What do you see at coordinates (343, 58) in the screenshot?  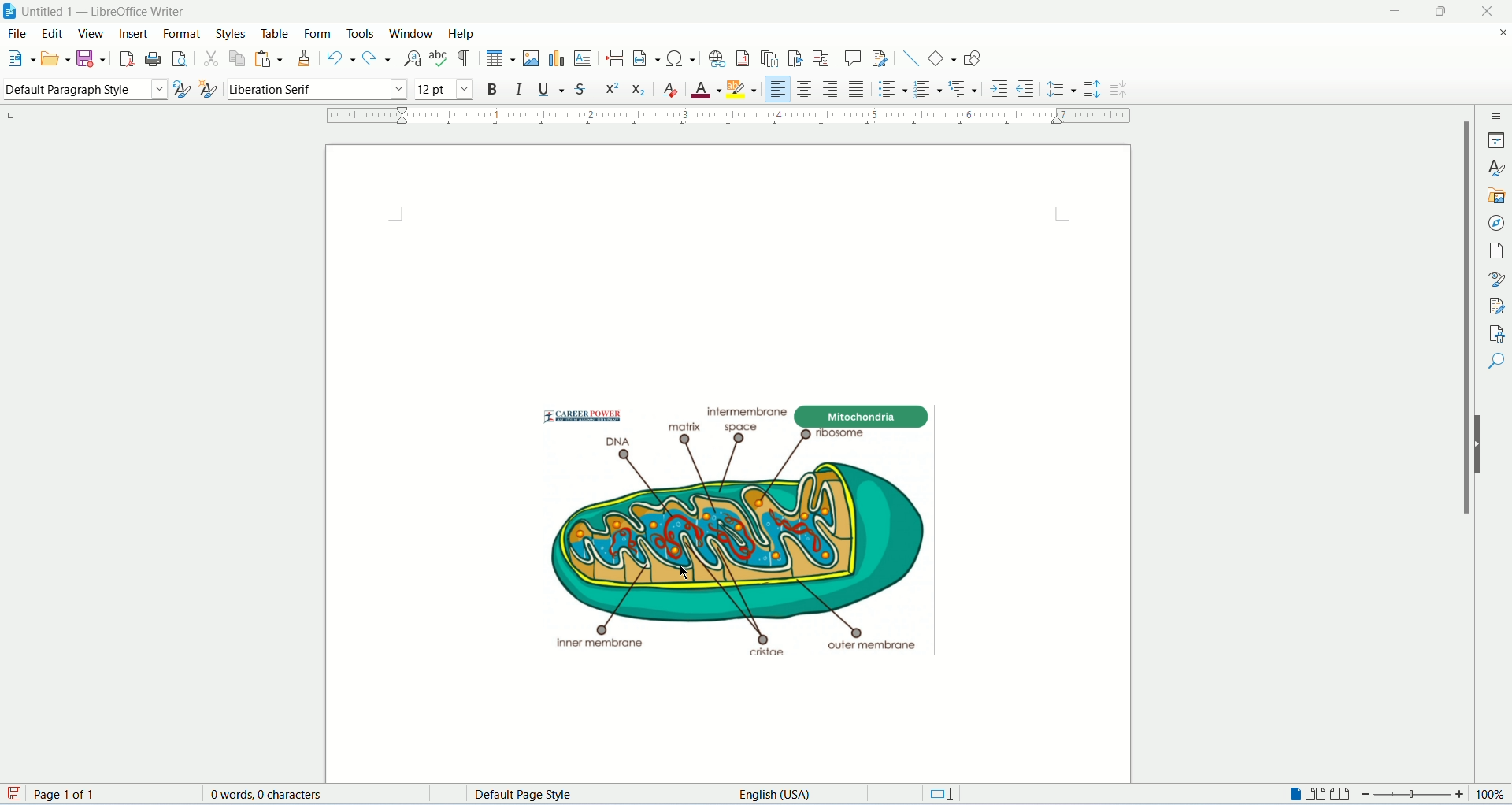 I see `undo` at bounding box center [343, 58].